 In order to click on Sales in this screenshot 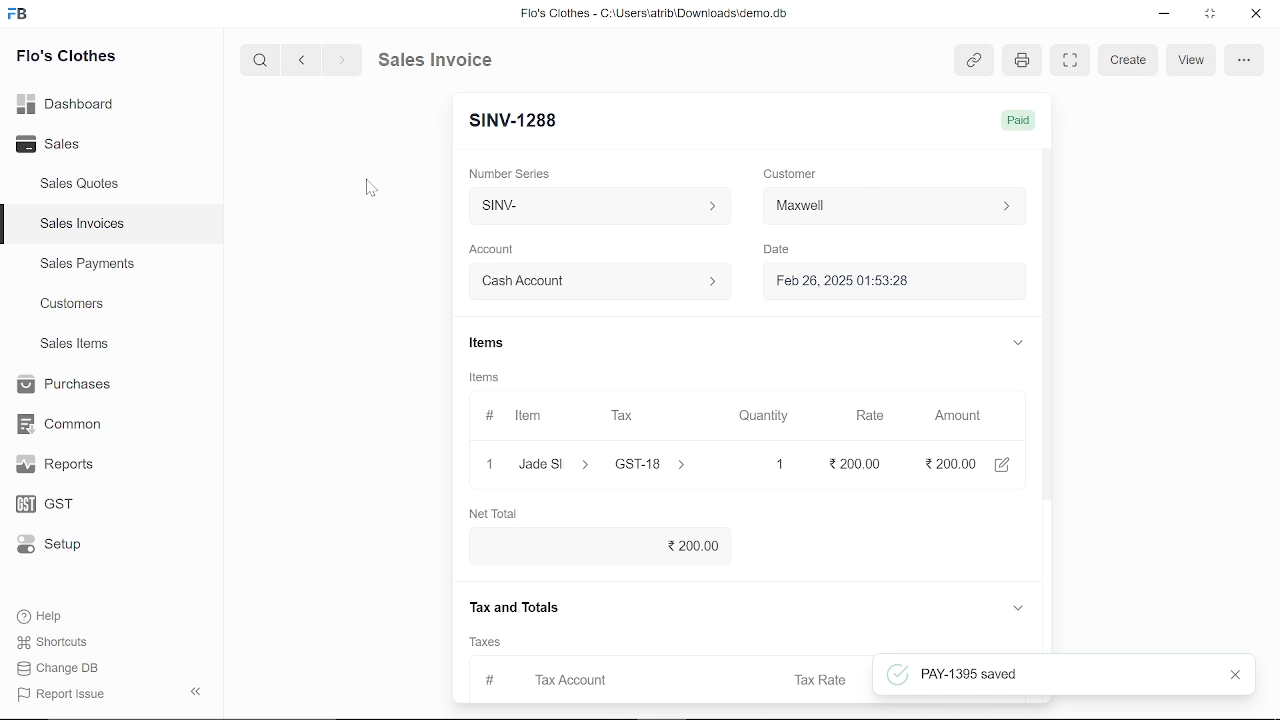, I will do `click(70, 145)`.